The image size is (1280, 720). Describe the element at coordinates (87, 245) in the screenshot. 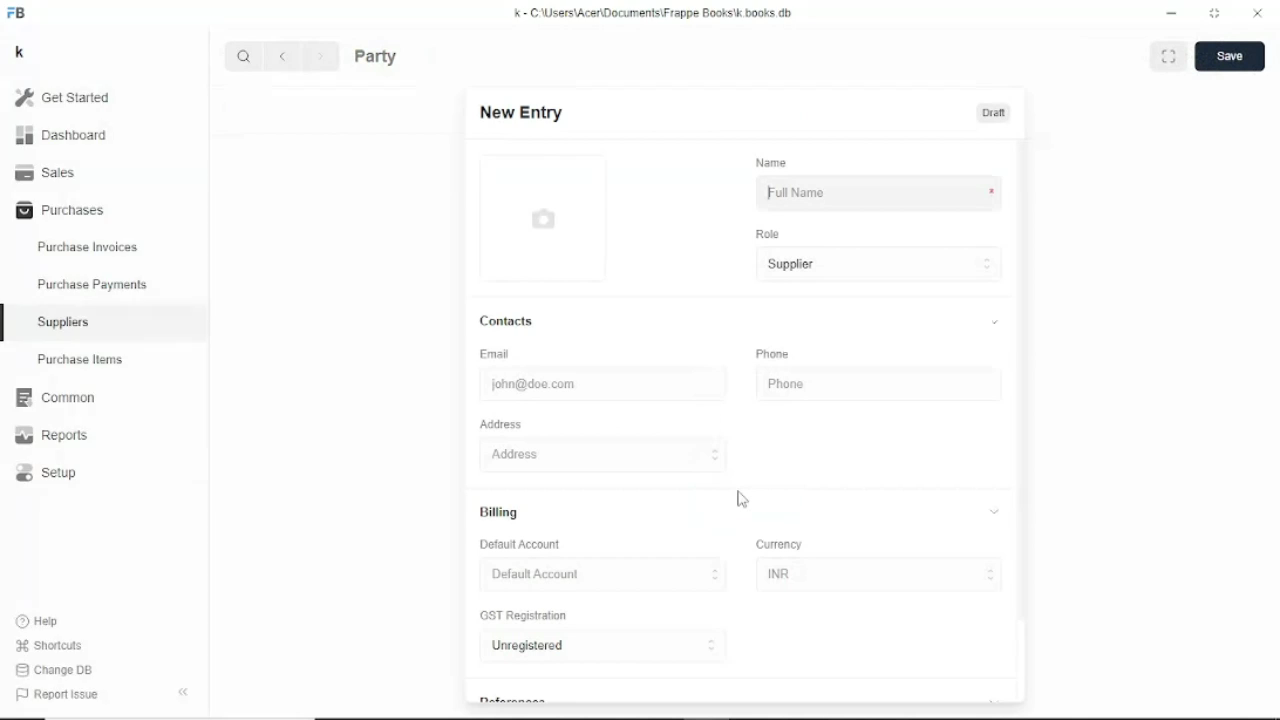

I see `Purchase invoices` at that location.